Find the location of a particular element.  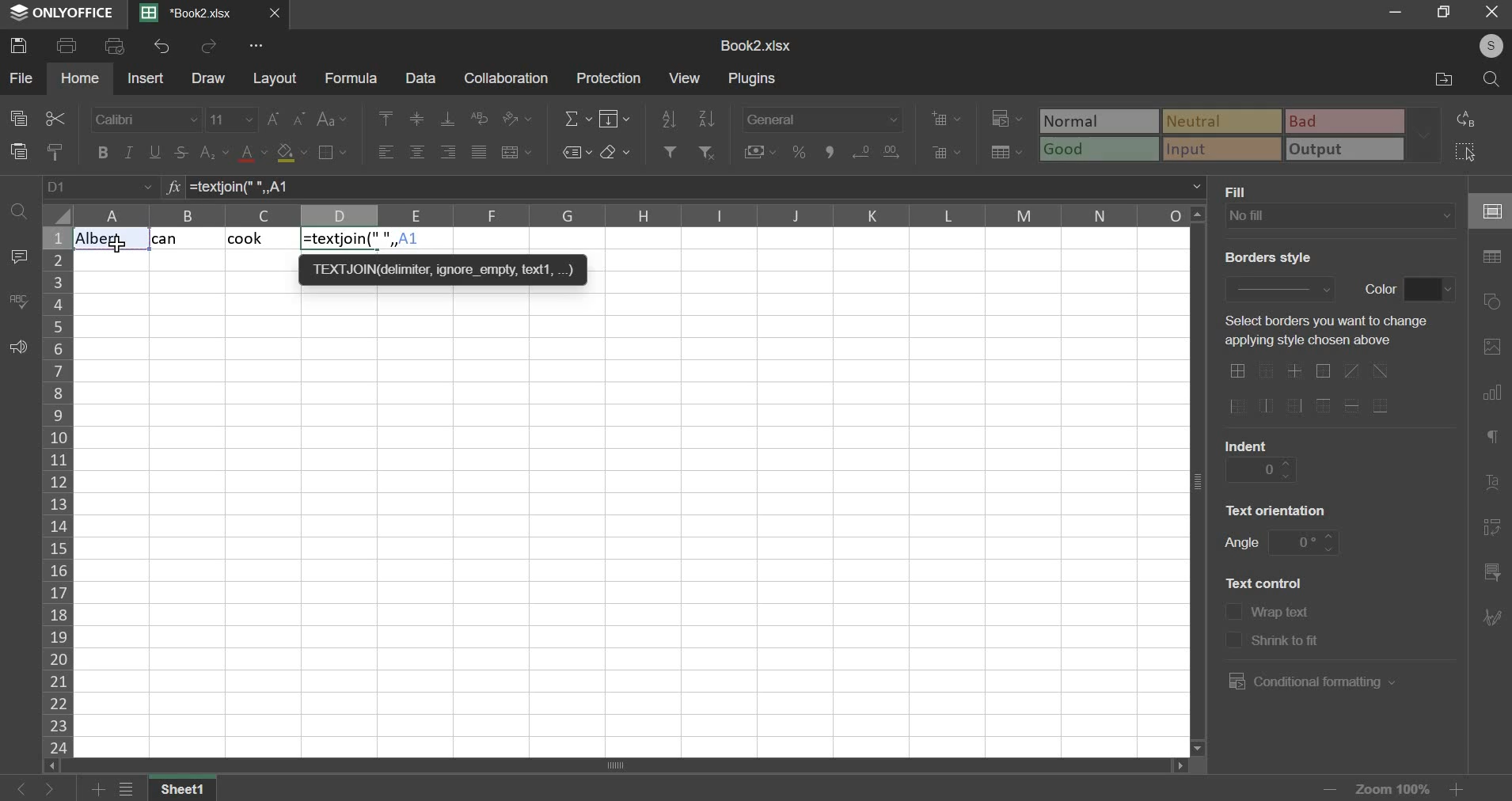

sum is located at coordinates (578, 117).